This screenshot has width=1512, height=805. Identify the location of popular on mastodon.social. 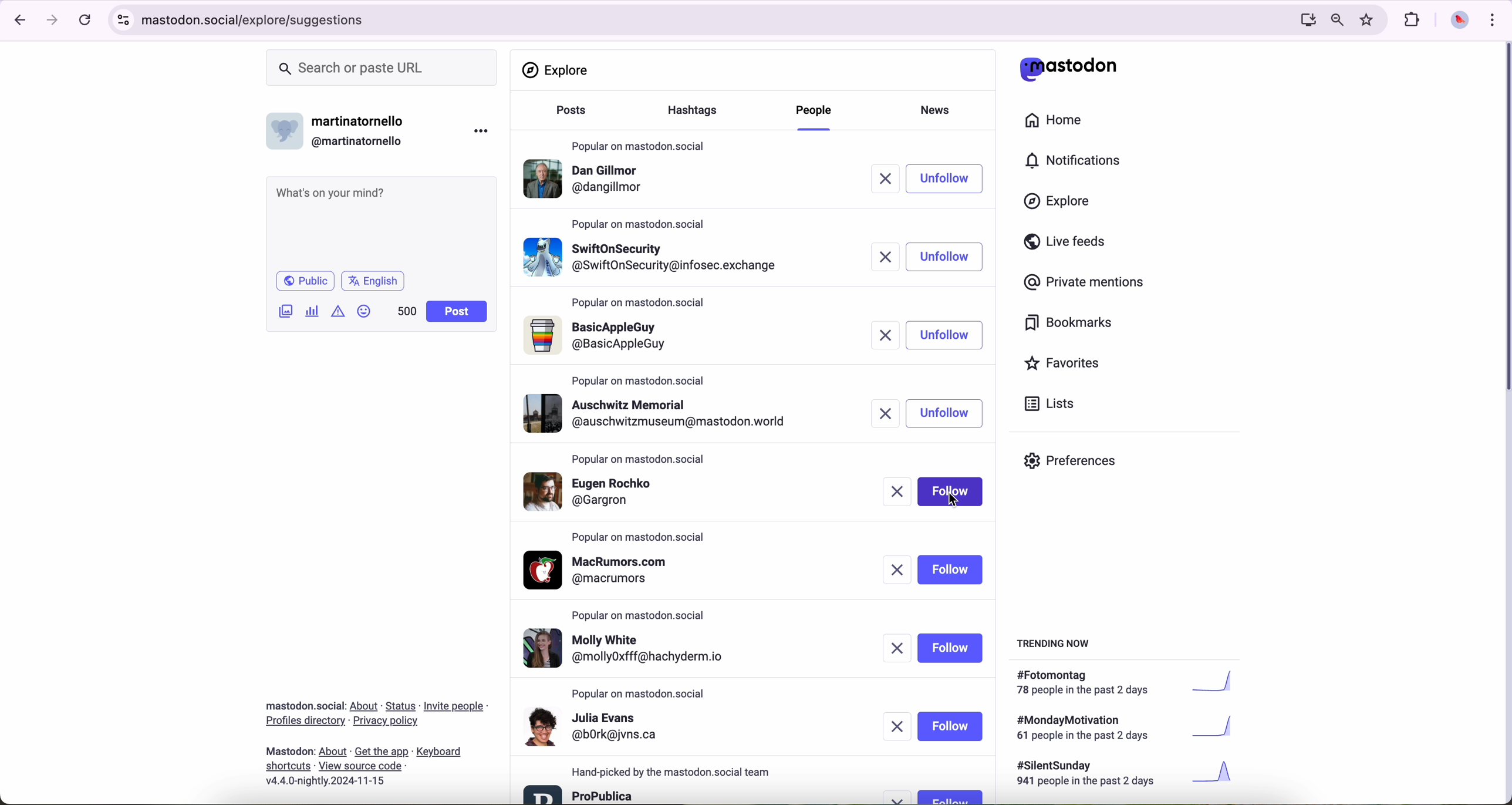
(639, 143).